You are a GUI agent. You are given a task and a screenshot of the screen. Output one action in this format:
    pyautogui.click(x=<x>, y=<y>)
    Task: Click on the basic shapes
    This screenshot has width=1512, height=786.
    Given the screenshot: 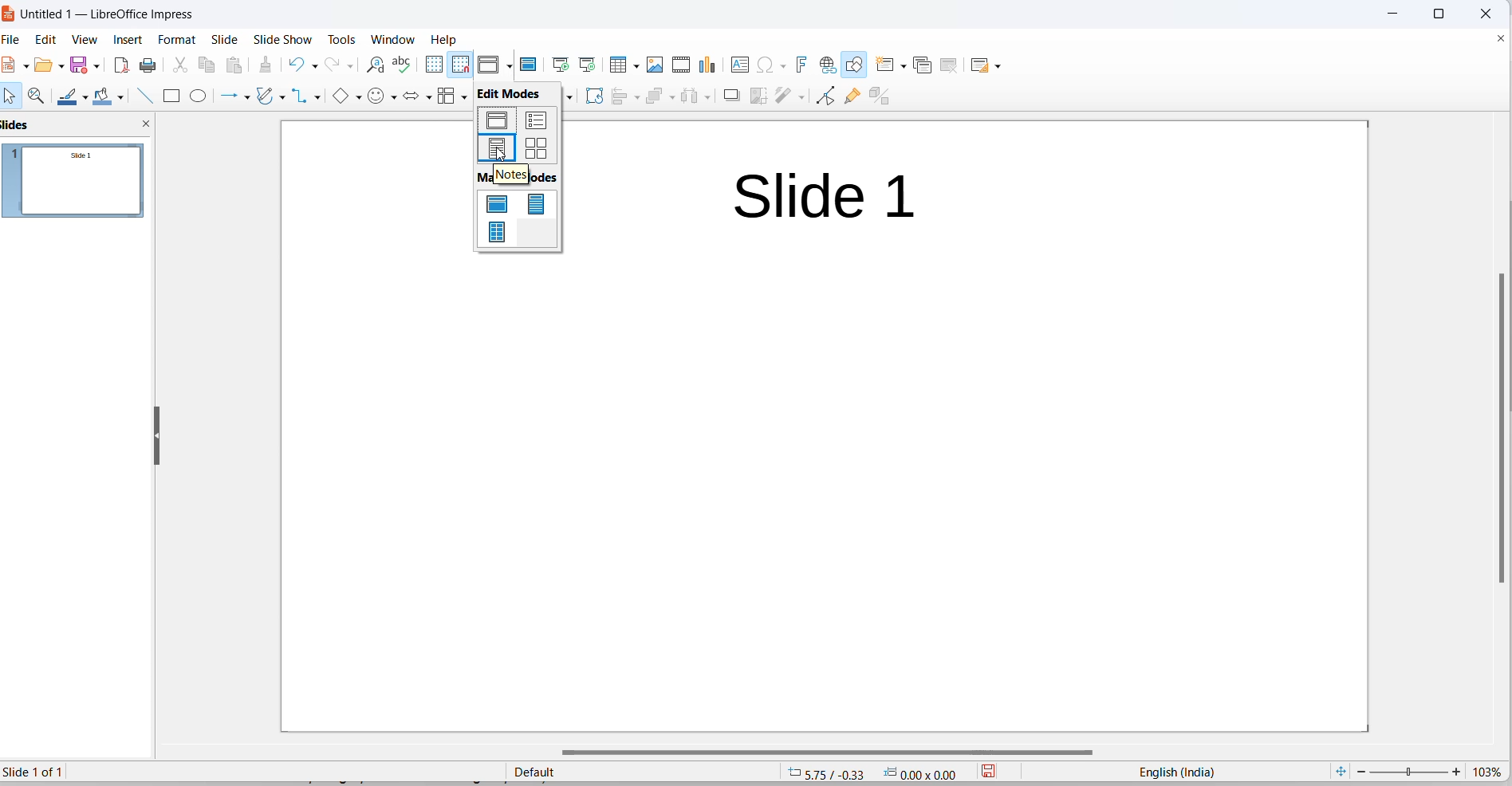 What is the action you would take?
    pyautogui.click(x=343, y=96)
    